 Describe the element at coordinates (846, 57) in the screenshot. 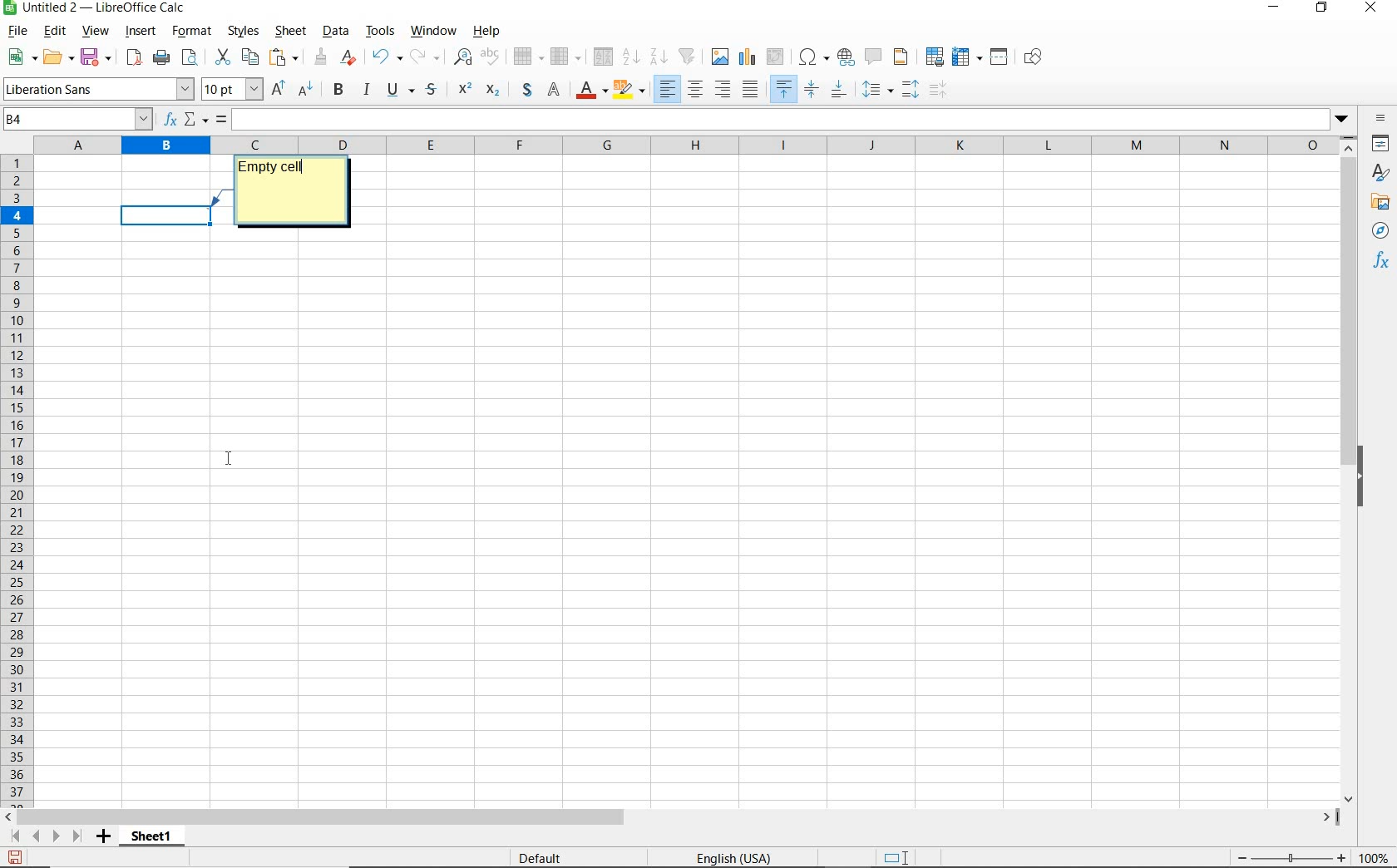

I see `insert hyperlink` at that location.